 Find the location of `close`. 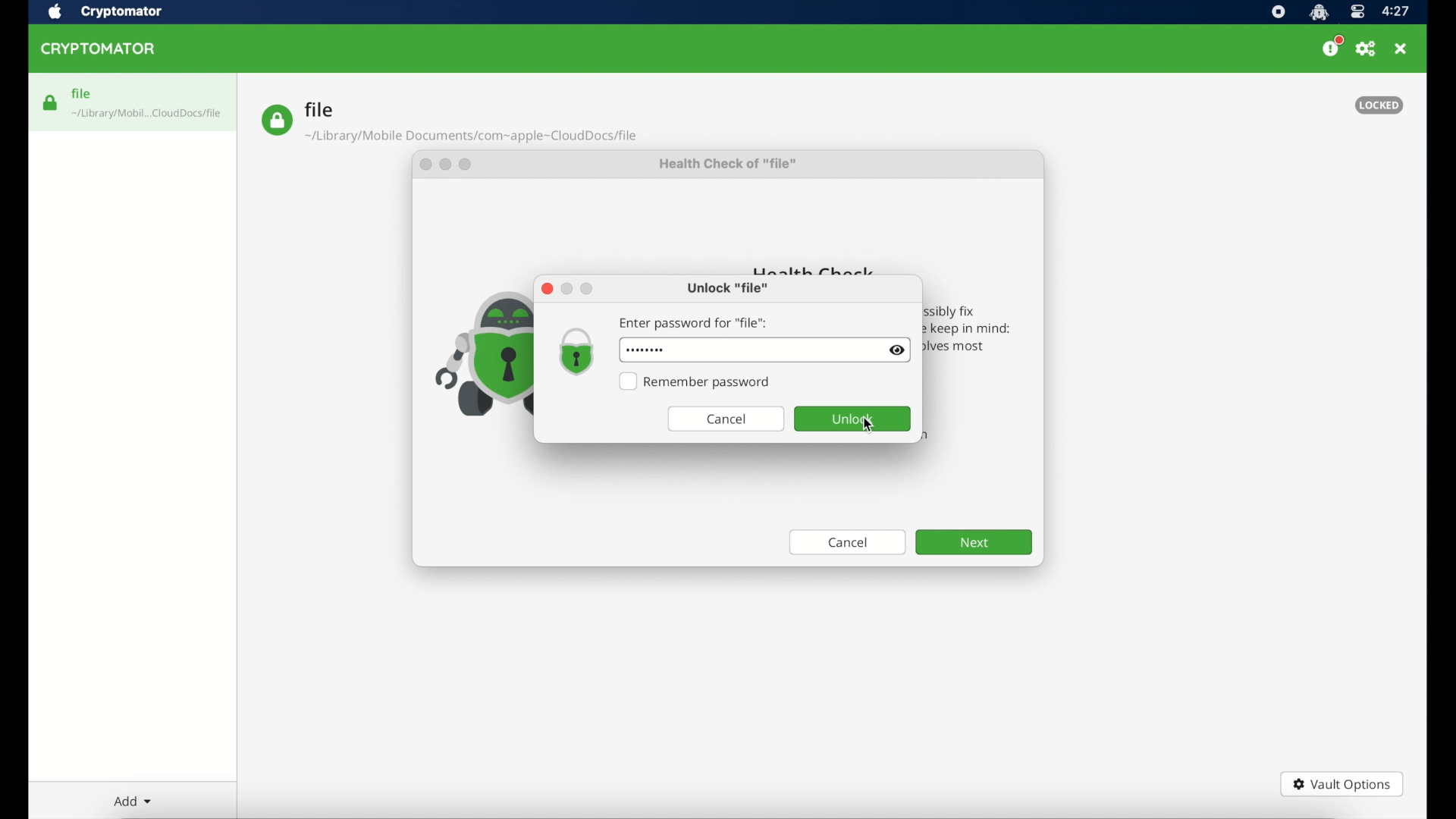

close is located at coordinates (1402, 49).